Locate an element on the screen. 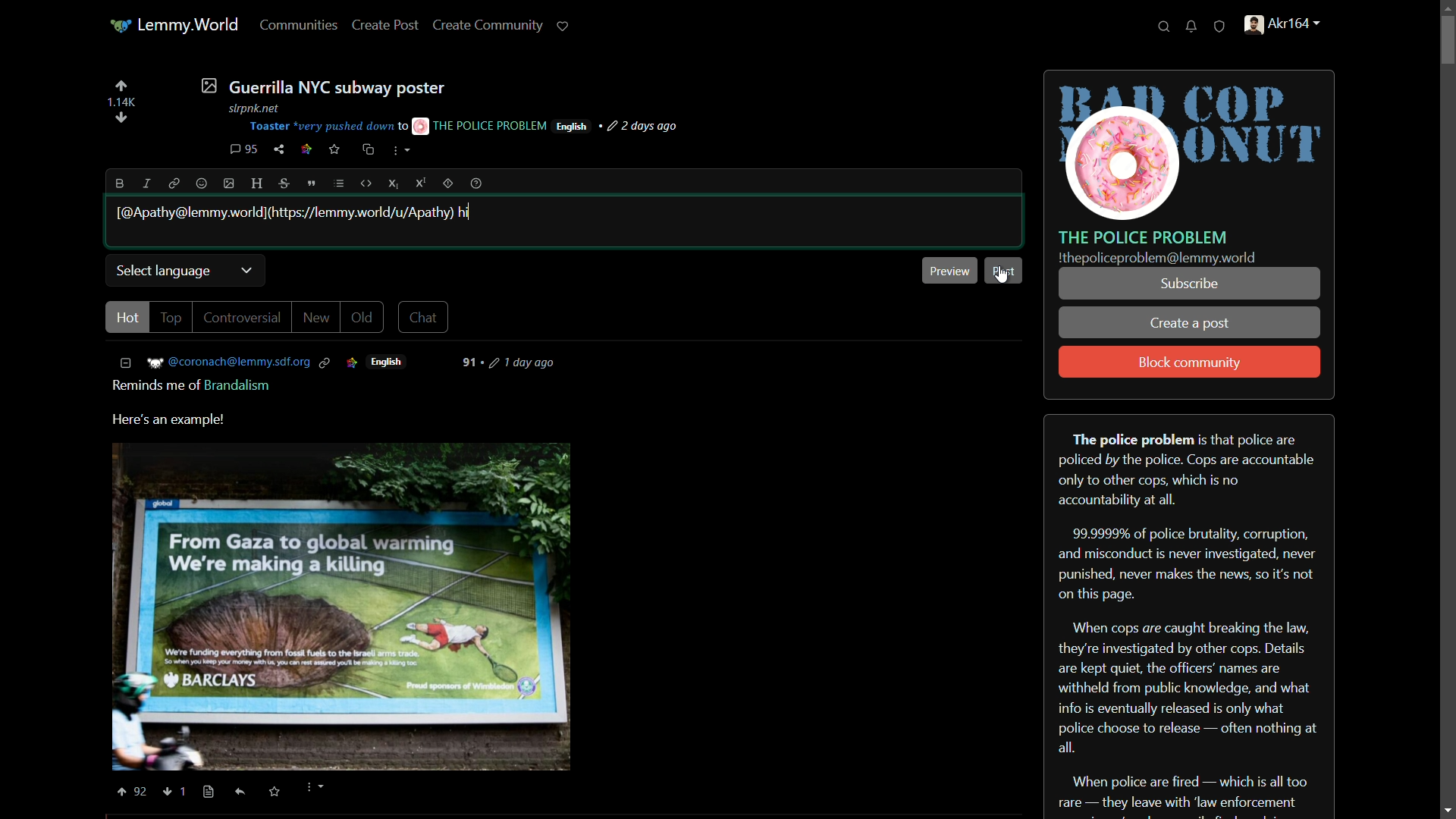 This screenshot has width=1456, height=819. Here's an example! is located at coordinates (175, 420).